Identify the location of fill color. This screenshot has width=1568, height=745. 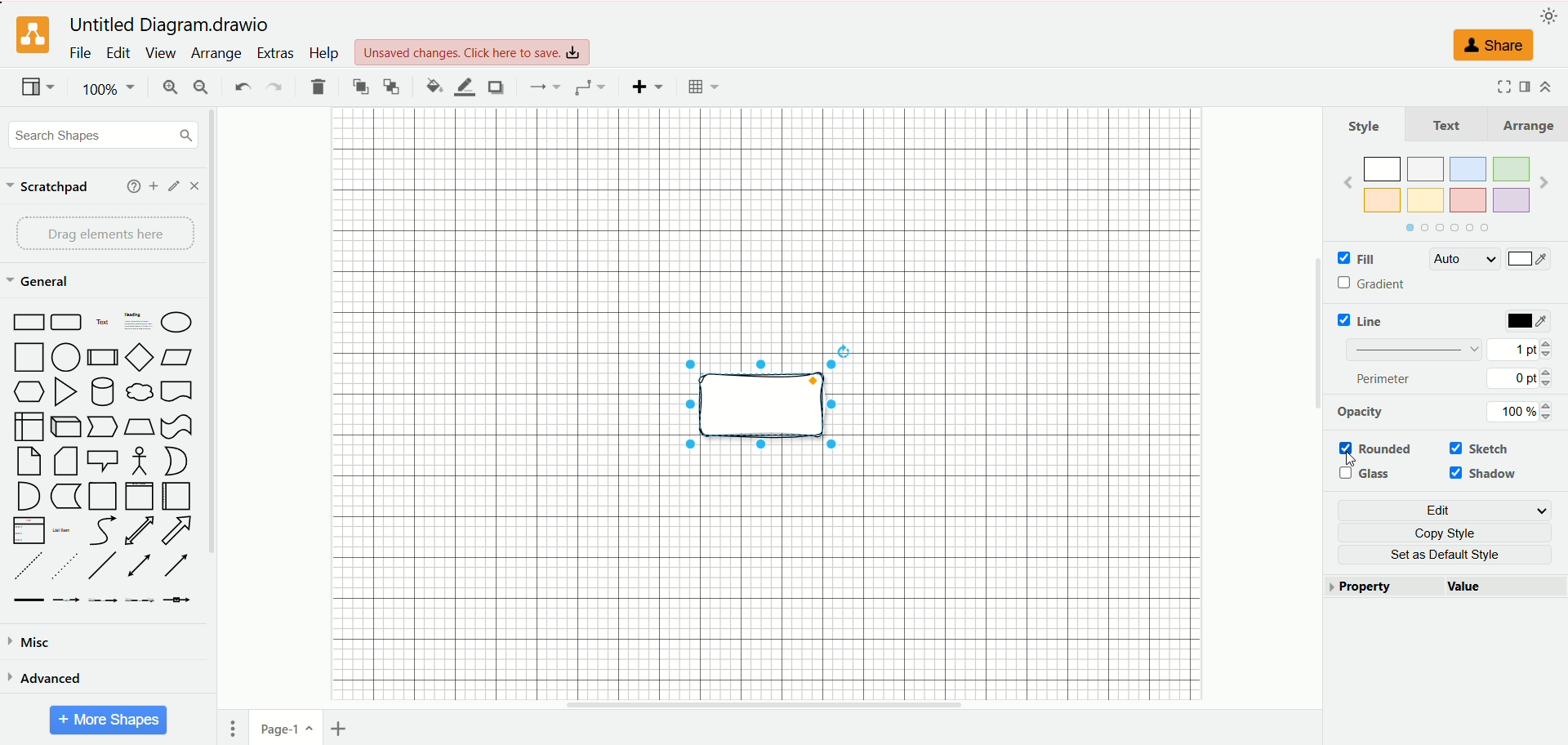
(434, 86).